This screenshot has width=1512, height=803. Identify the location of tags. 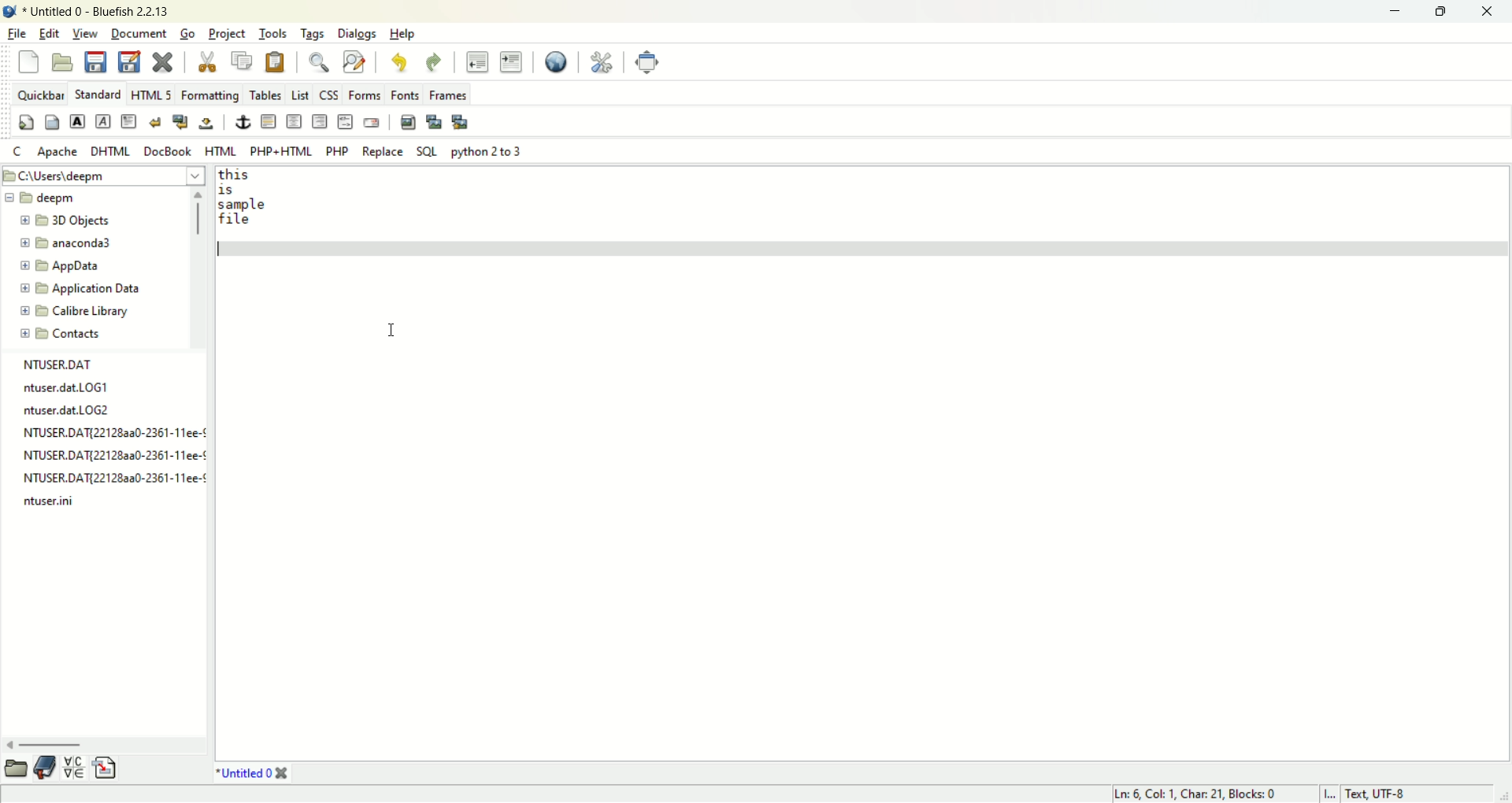
(313, 33).